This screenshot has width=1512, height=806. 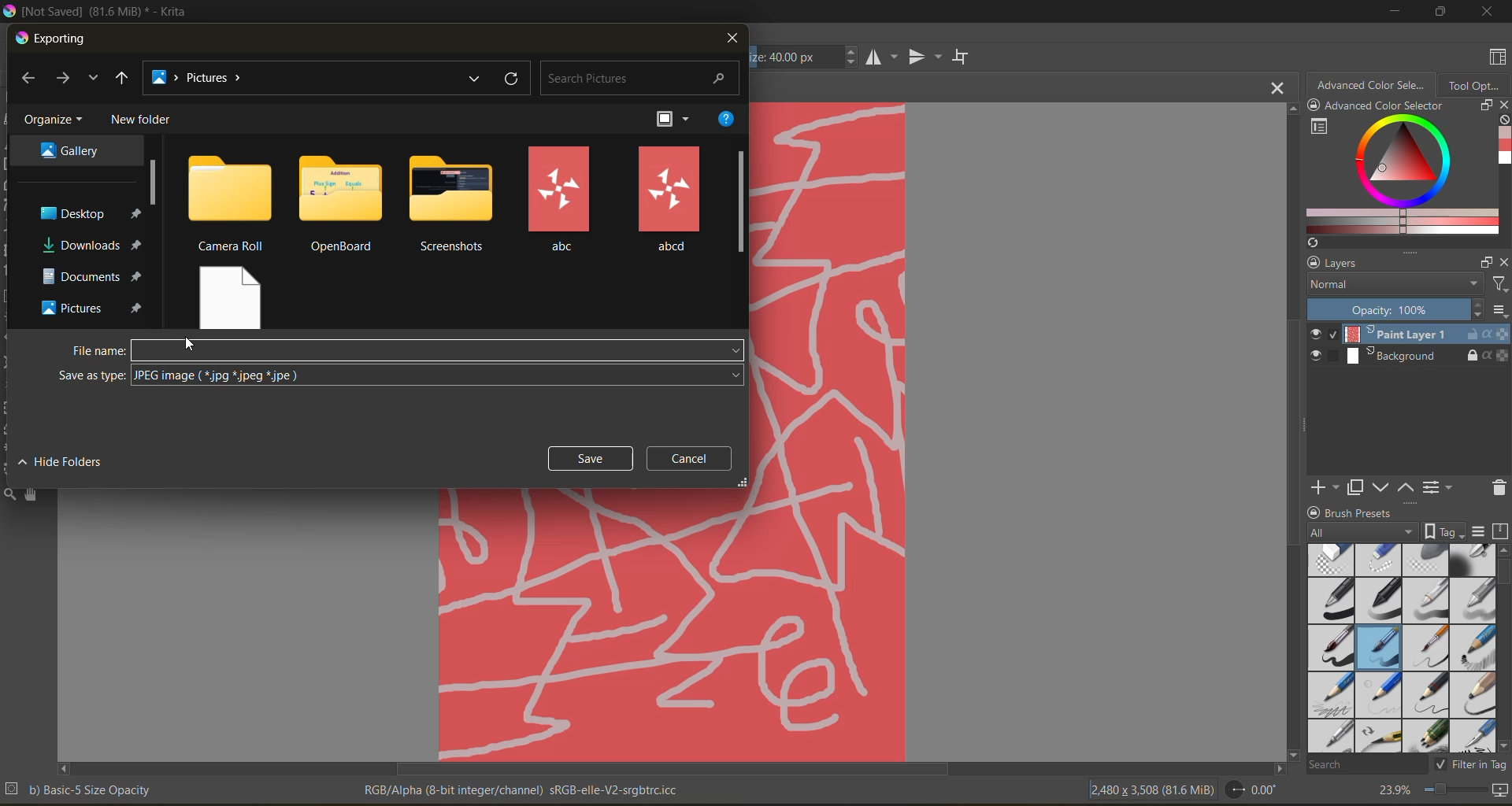 I want to click on save, so click(x=591, y=458).